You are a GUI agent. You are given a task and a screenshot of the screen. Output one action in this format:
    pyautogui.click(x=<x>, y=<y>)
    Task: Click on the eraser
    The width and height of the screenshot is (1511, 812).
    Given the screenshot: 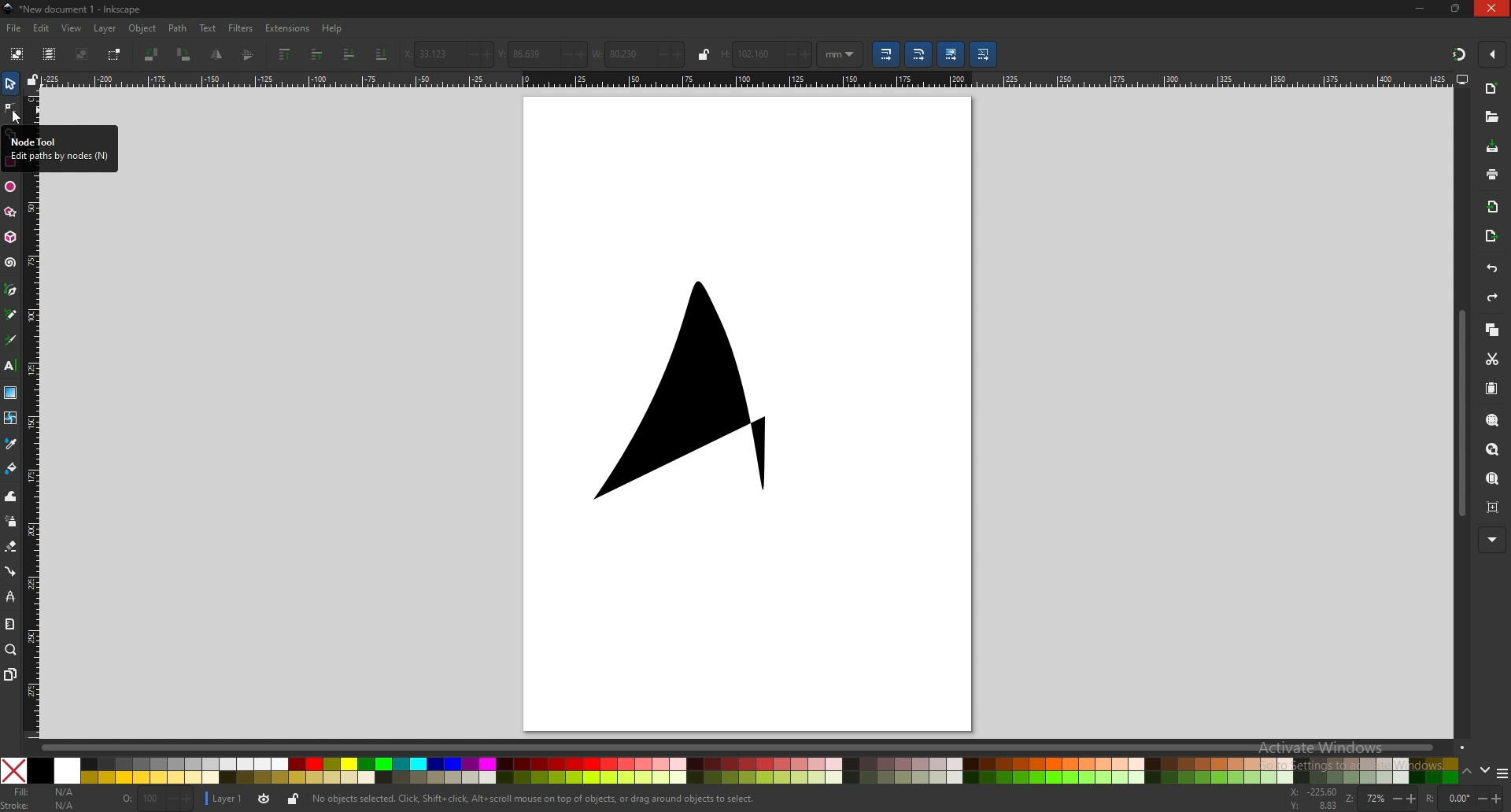 What is the action you would take?
    pyautogui.click(x=12, y=547)
    